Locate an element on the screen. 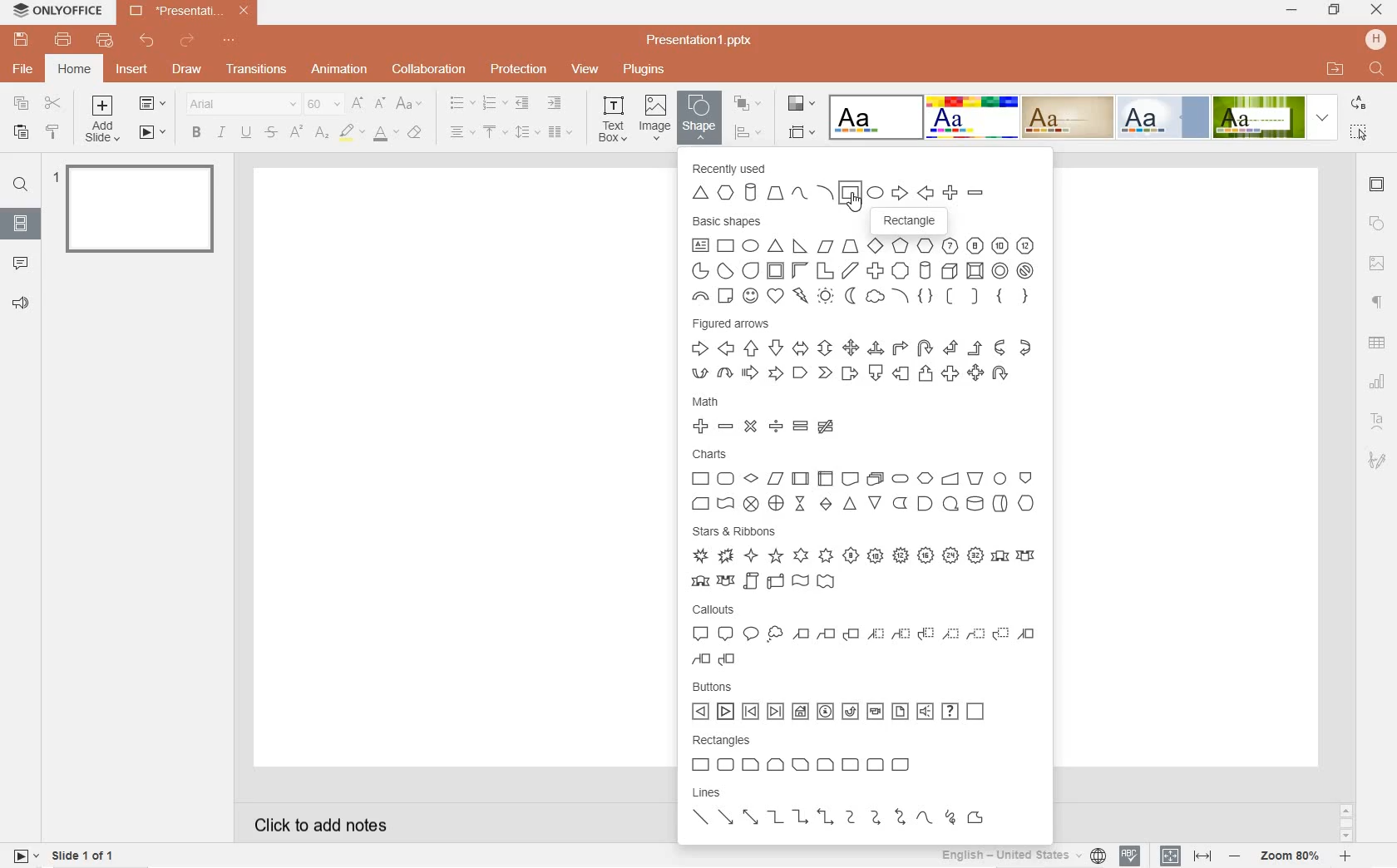 This screenshot has height=868, width=1397. Beginning button is located at coordinates (751, 713).